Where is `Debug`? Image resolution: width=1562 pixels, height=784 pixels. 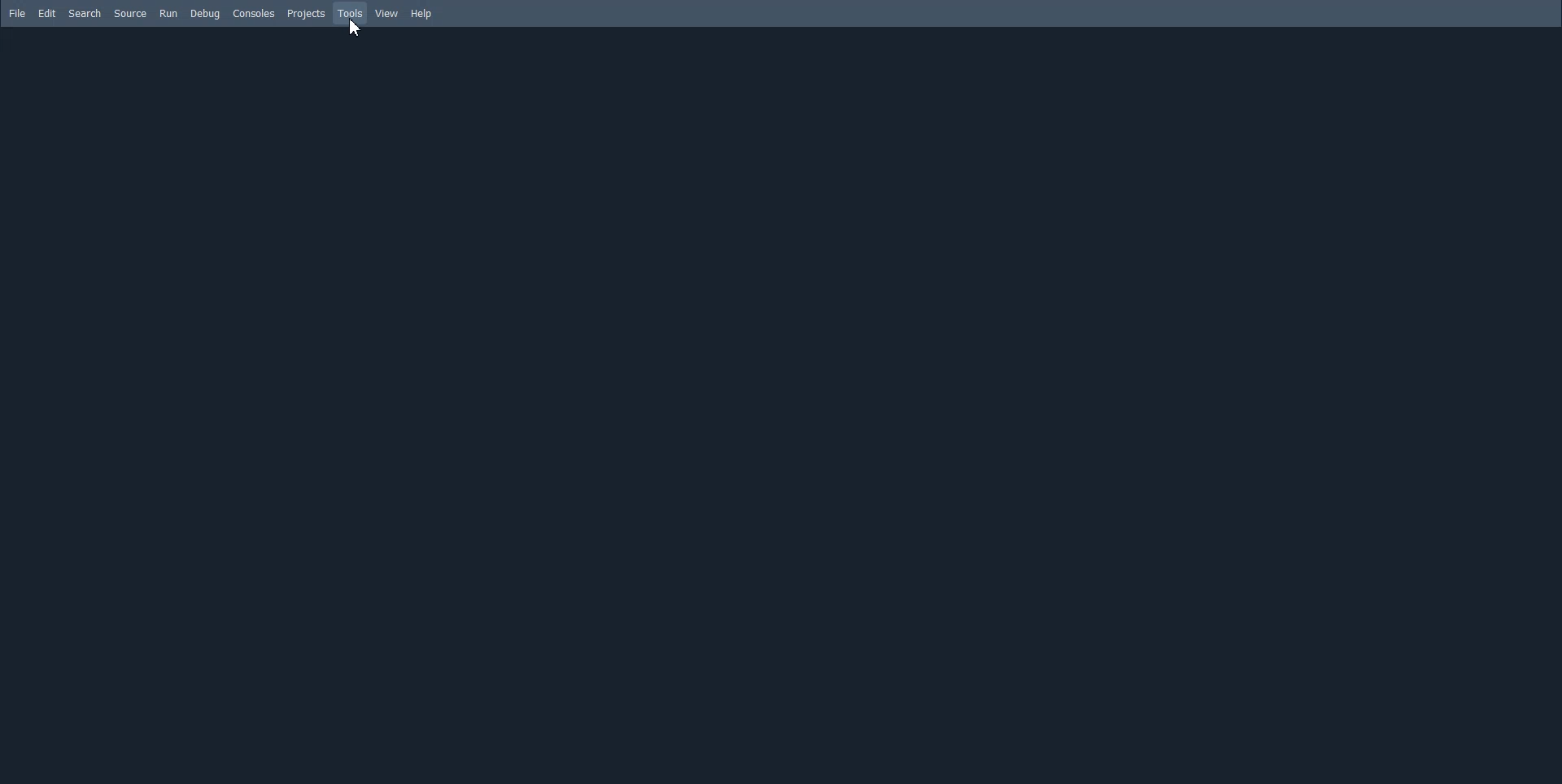 Debug is located at coordinates (206, 14).